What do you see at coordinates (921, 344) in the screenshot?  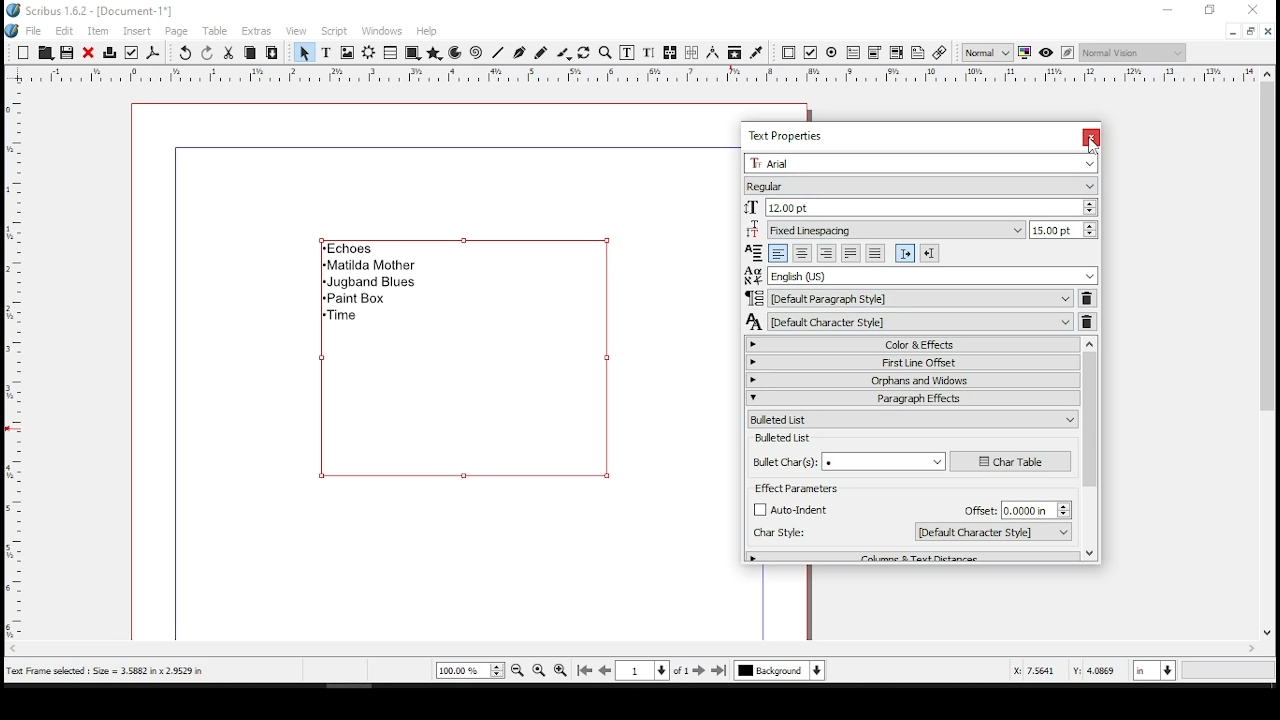 I see `color and effects` at bounding box center [921, 344].